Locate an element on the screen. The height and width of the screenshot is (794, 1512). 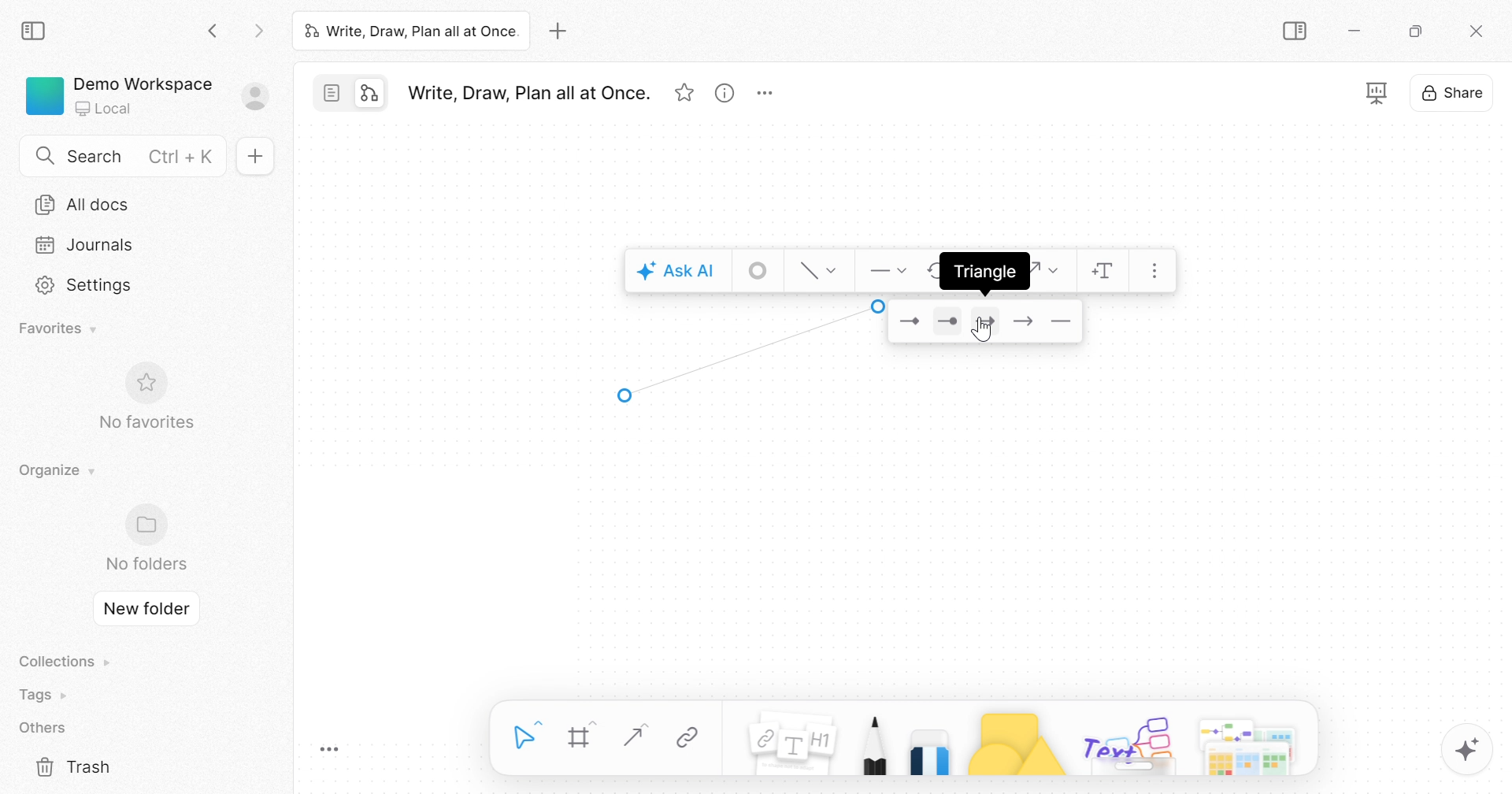
Add new tab is located at coordinates (561, 31).